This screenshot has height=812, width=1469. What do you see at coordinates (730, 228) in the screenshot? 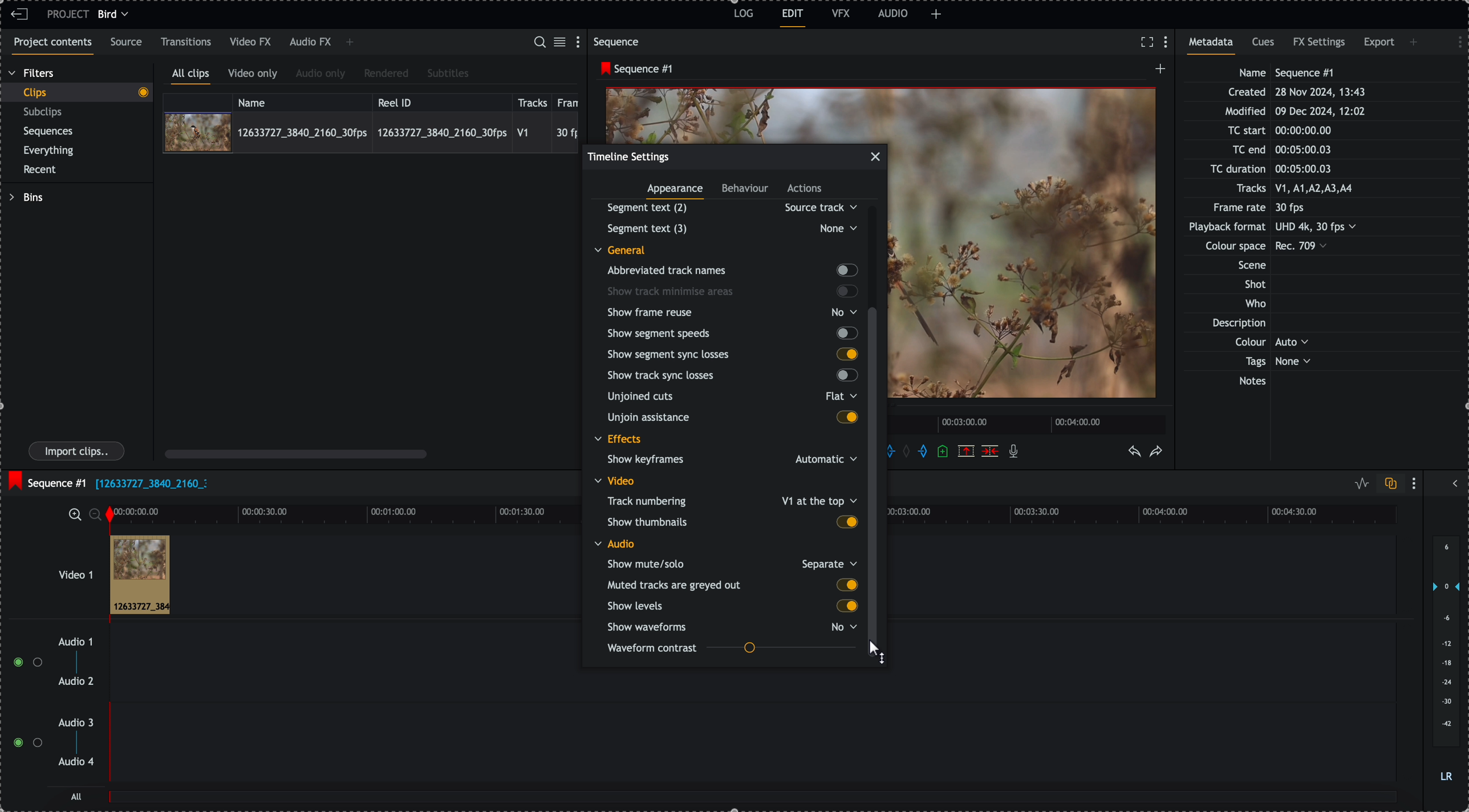
I see `` at bounding box center [730, 228].